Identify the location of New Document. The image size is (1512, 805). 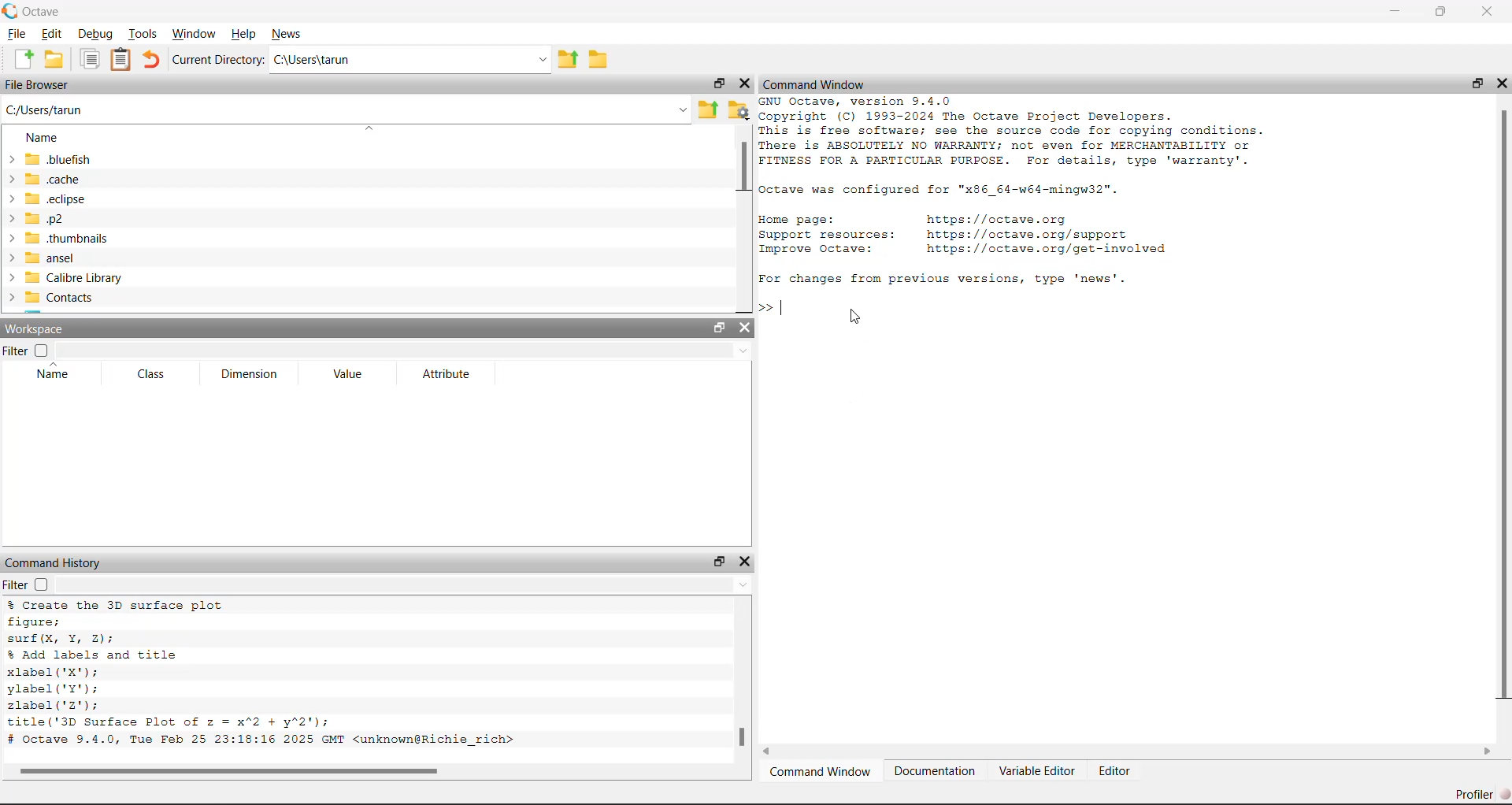
(23, 59).